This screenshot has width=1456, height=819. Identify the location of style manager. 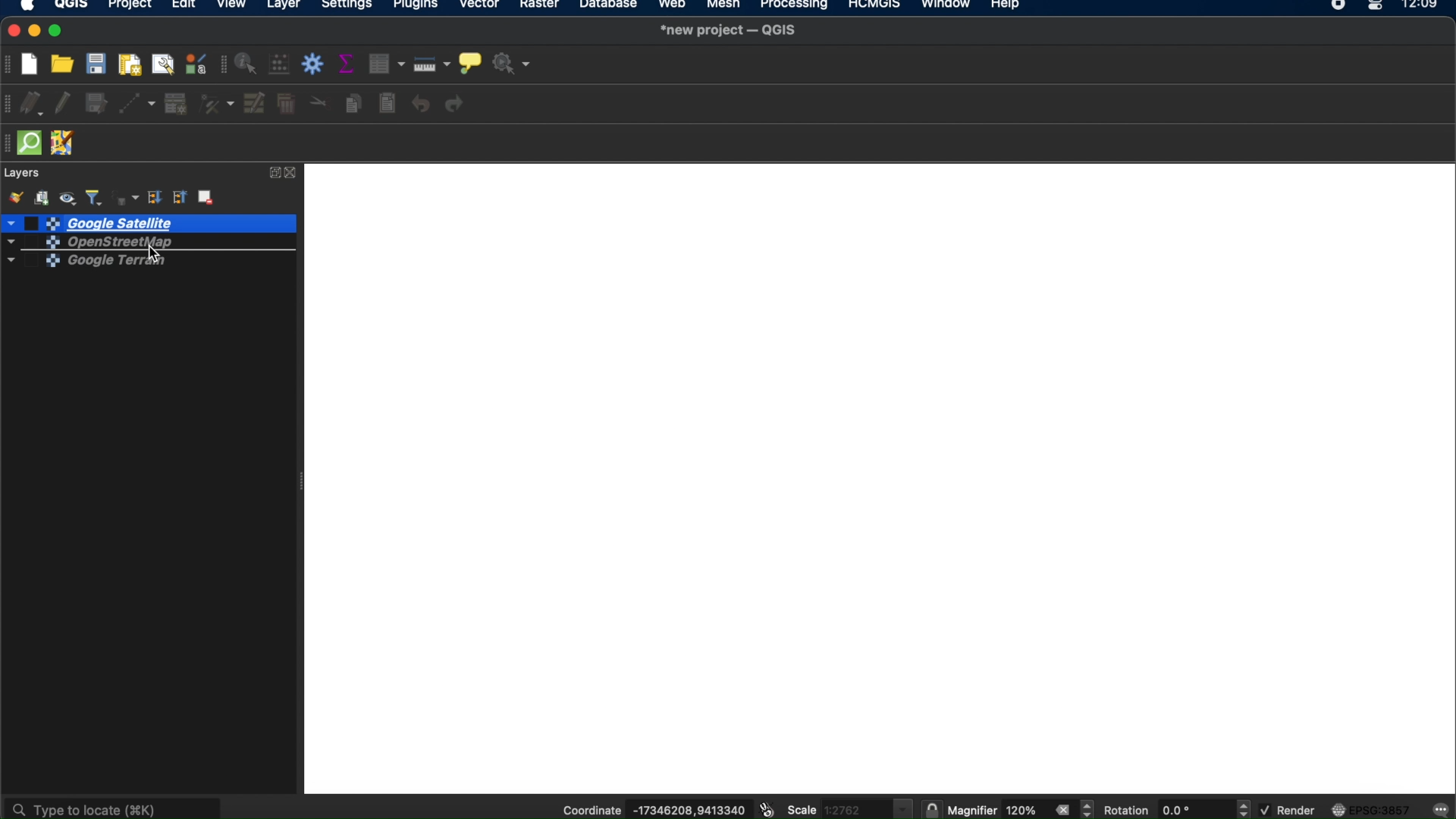
(195, 64).